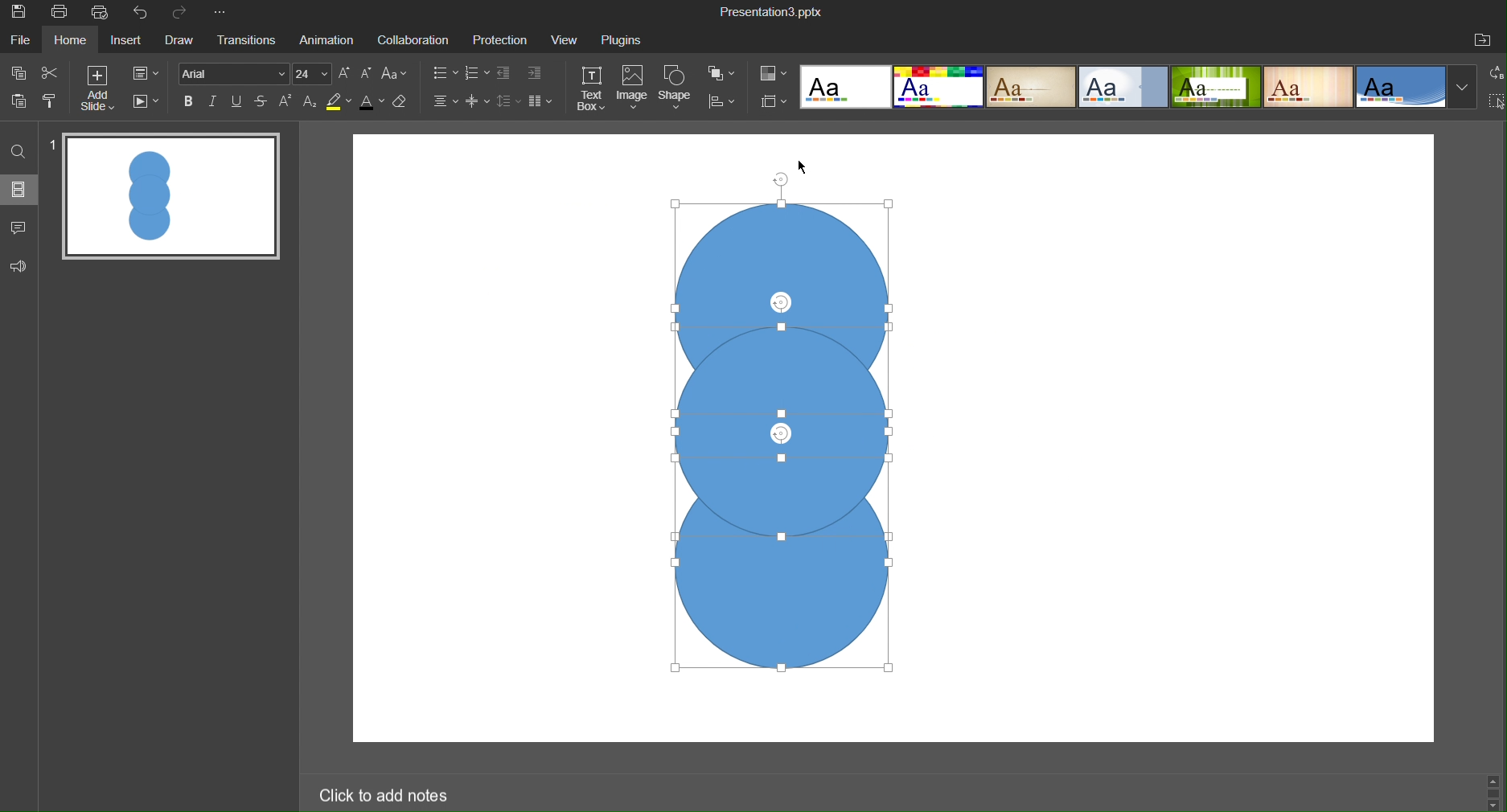 The image size is (1507, 812). I want to click on Presentation Title, so click(771, 12).